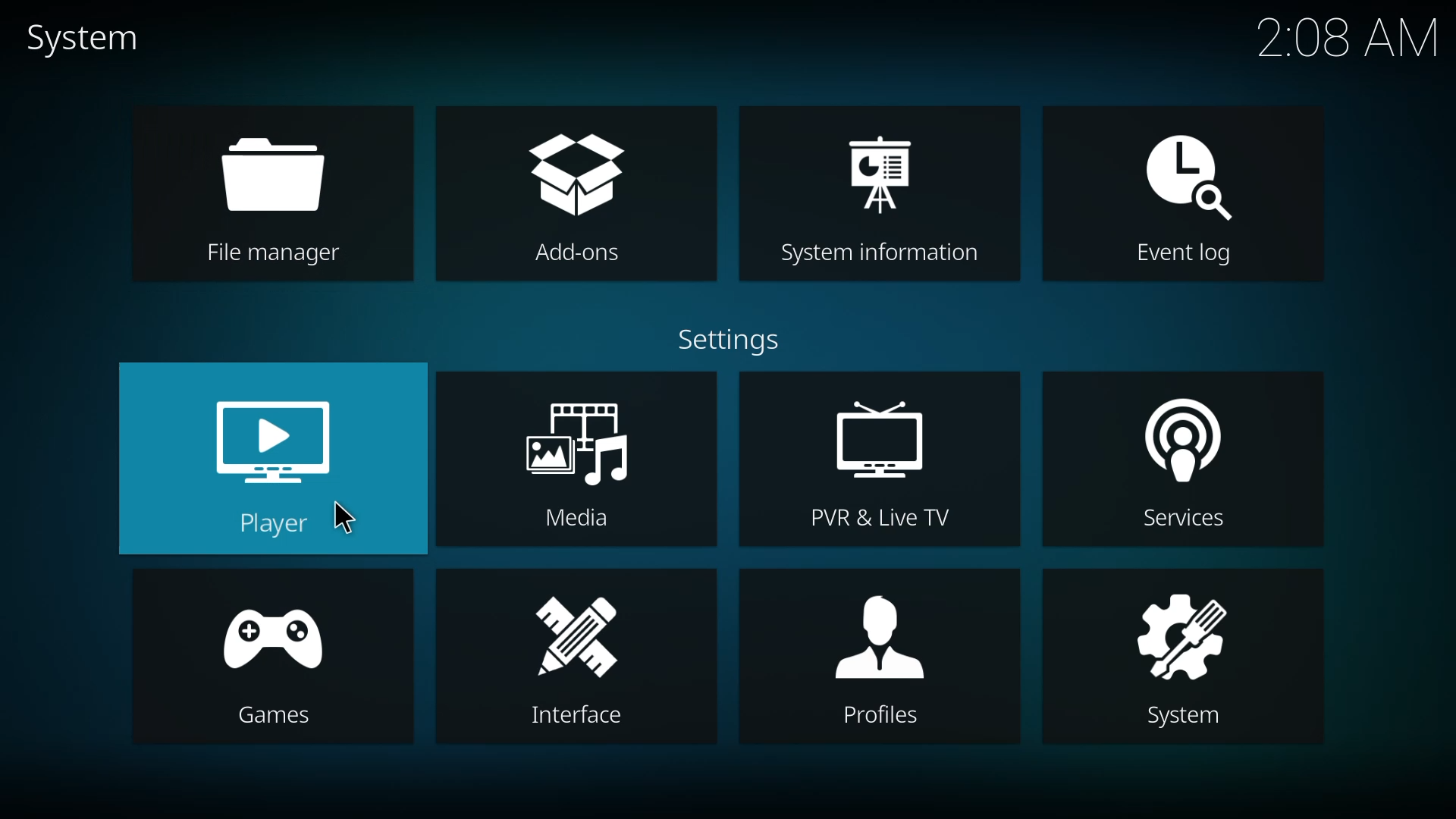  Describe the element at coordinates (1188, 465) in the screenshot. I see `services` at that location.